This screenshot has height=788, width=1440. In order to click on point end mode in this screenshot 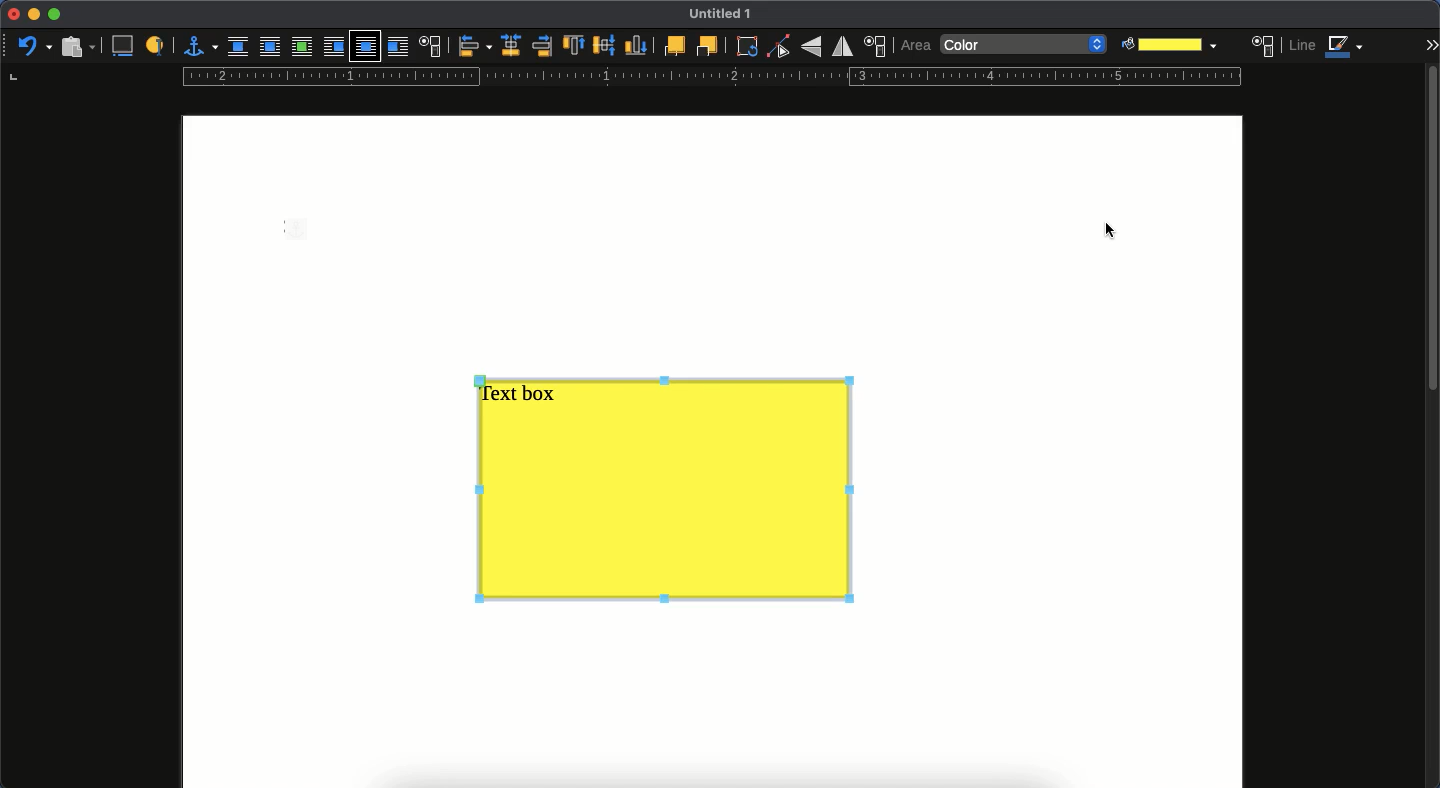, I will do `click(779, 47)`.